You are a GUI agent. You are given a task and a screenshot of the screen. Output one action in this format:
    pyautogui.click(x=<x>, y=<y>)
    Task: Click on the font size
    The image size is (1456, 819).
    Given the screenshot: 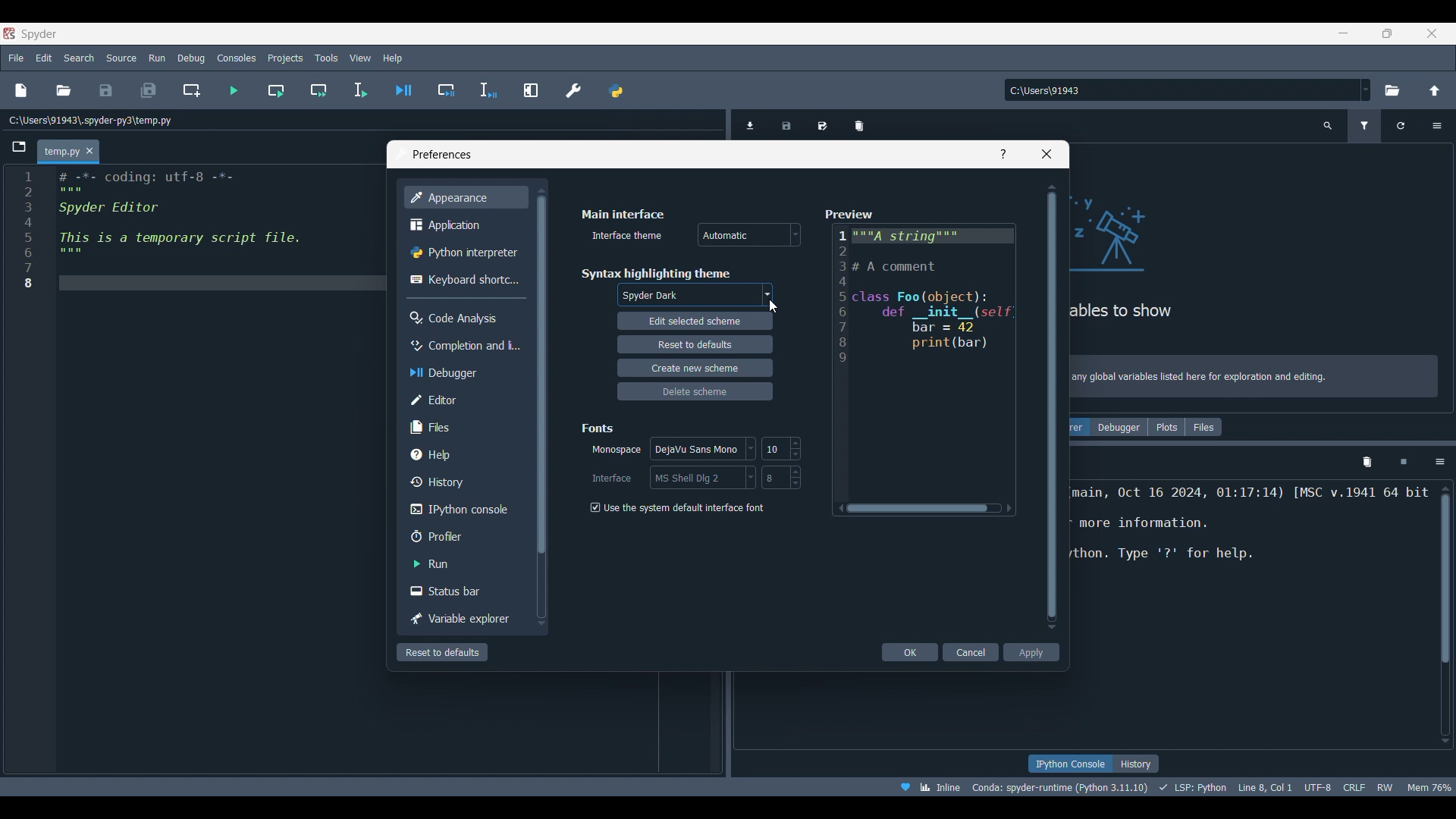 What is the action you would take?
    pyautogui.click(x=786, y=477)
    